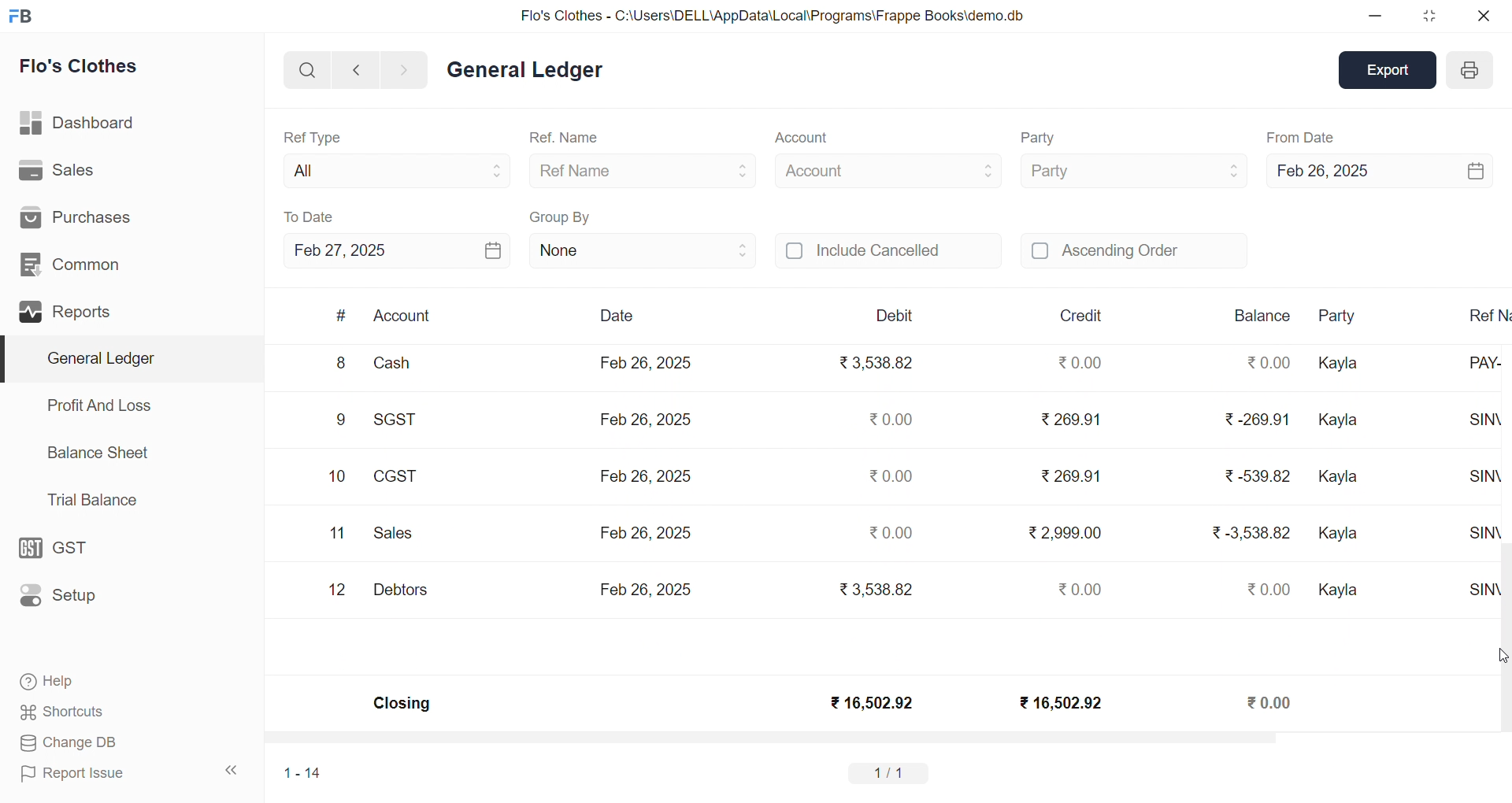 The image size is (1512, 803). What do you see at coordinates (1347, 316) in the screenshot?
I see `Party` at bounding box center [1347, 316].